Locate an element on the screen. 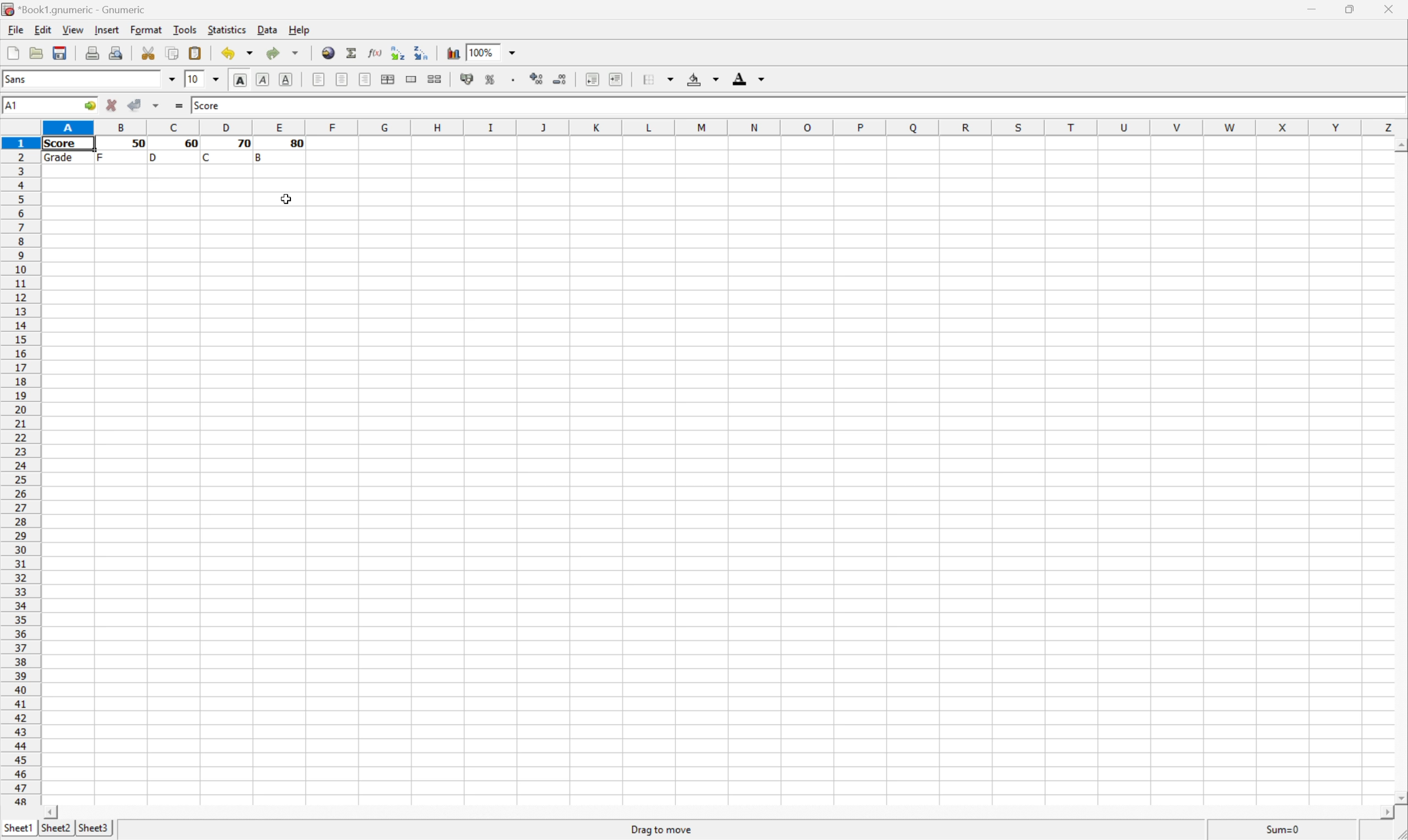  Data is located at coordinates (266, 29).